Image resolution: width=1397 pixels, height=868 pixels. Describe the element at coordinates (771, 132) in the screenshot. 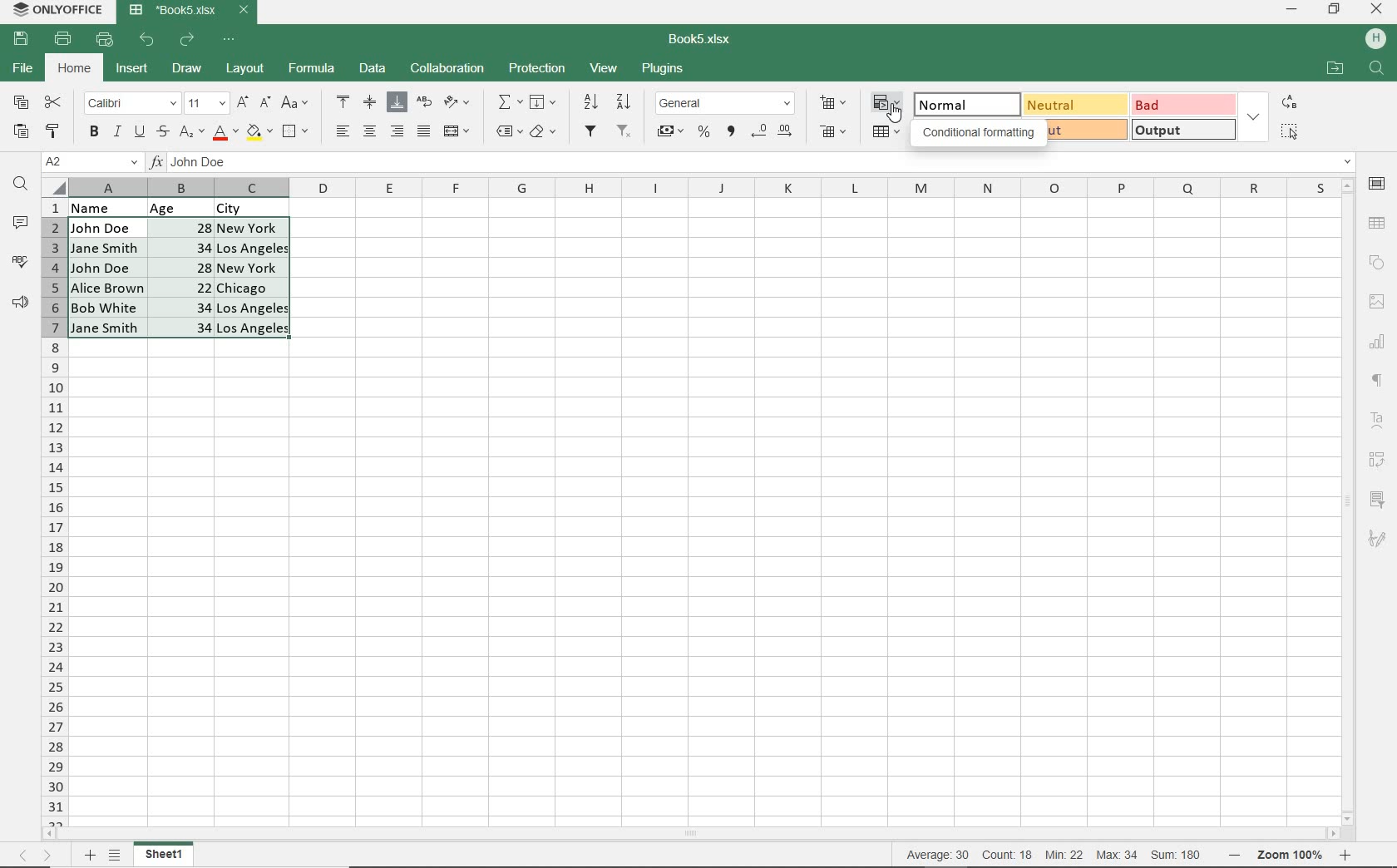

I see `CHANGE DECIMAL PLACE` at that location.